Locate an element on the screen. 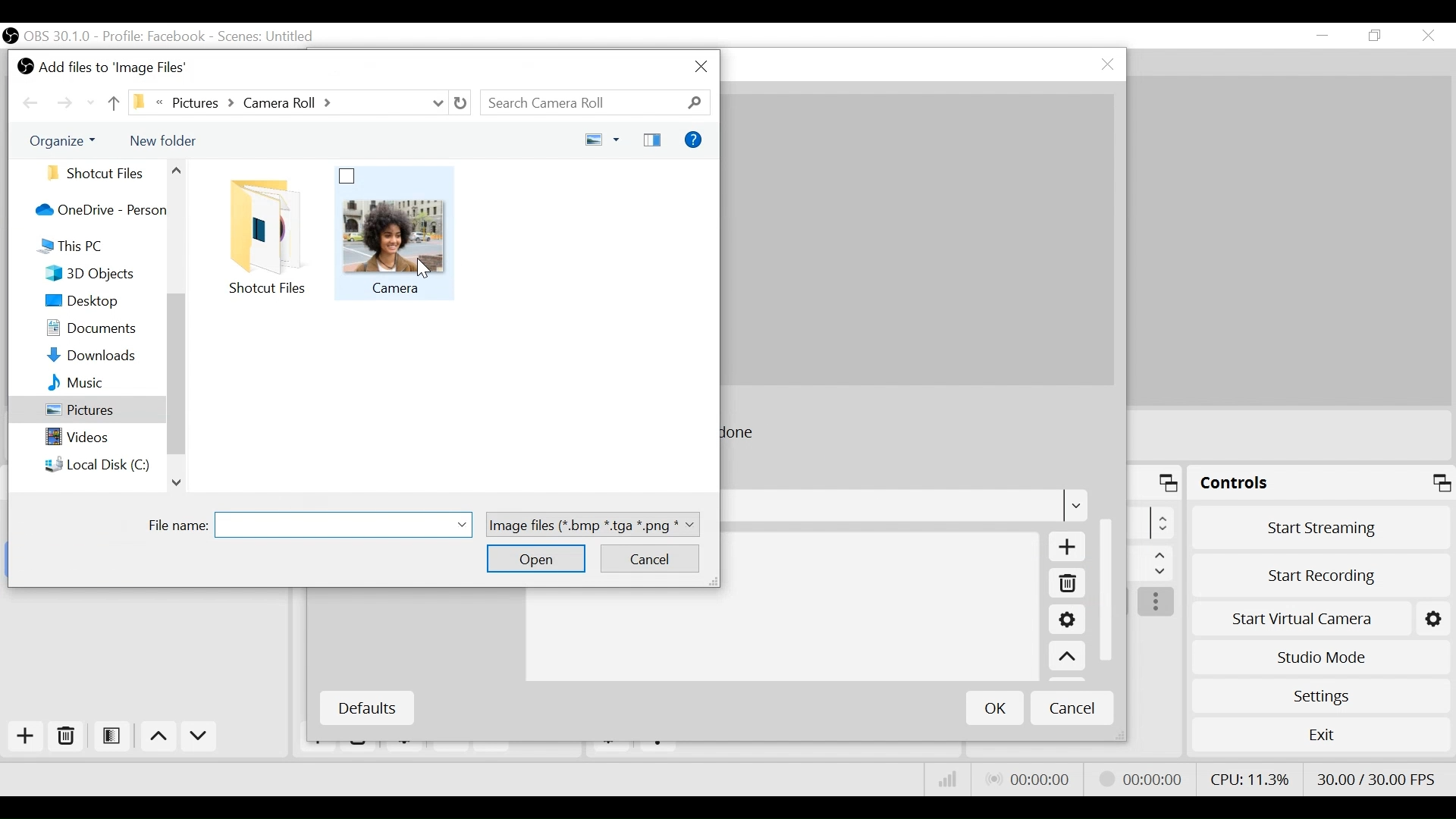  Remove is located at coordinates (1066, 585).